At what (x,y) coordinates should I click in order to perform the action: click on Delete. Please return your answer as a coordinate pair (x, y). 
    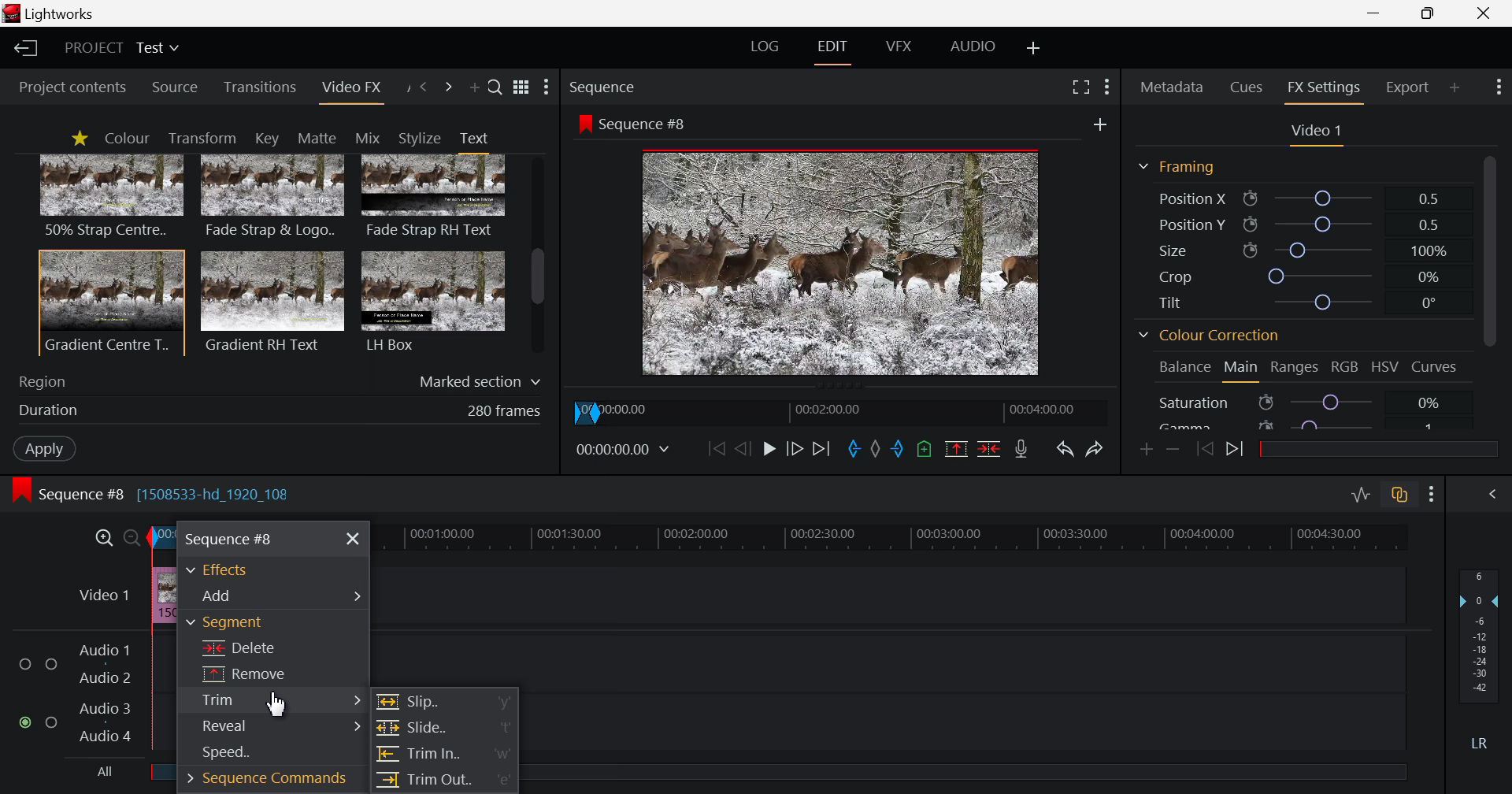
    Looking at the image, I should click on (273, 646).